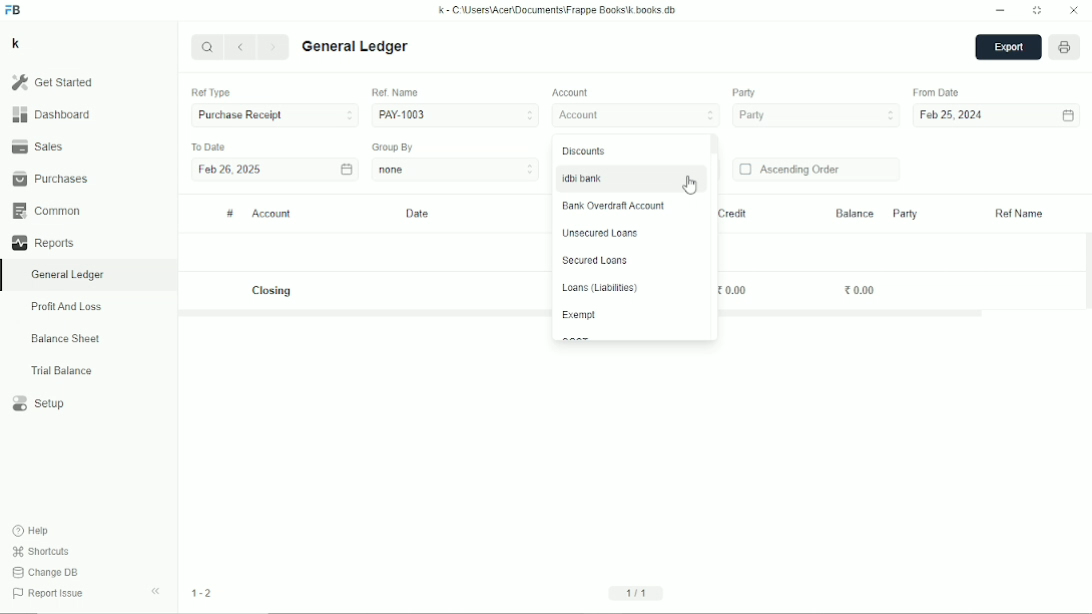  Describe the element at coordinates (953, 116) in the screenshot. I see `Feb 25, 2024` at that location.